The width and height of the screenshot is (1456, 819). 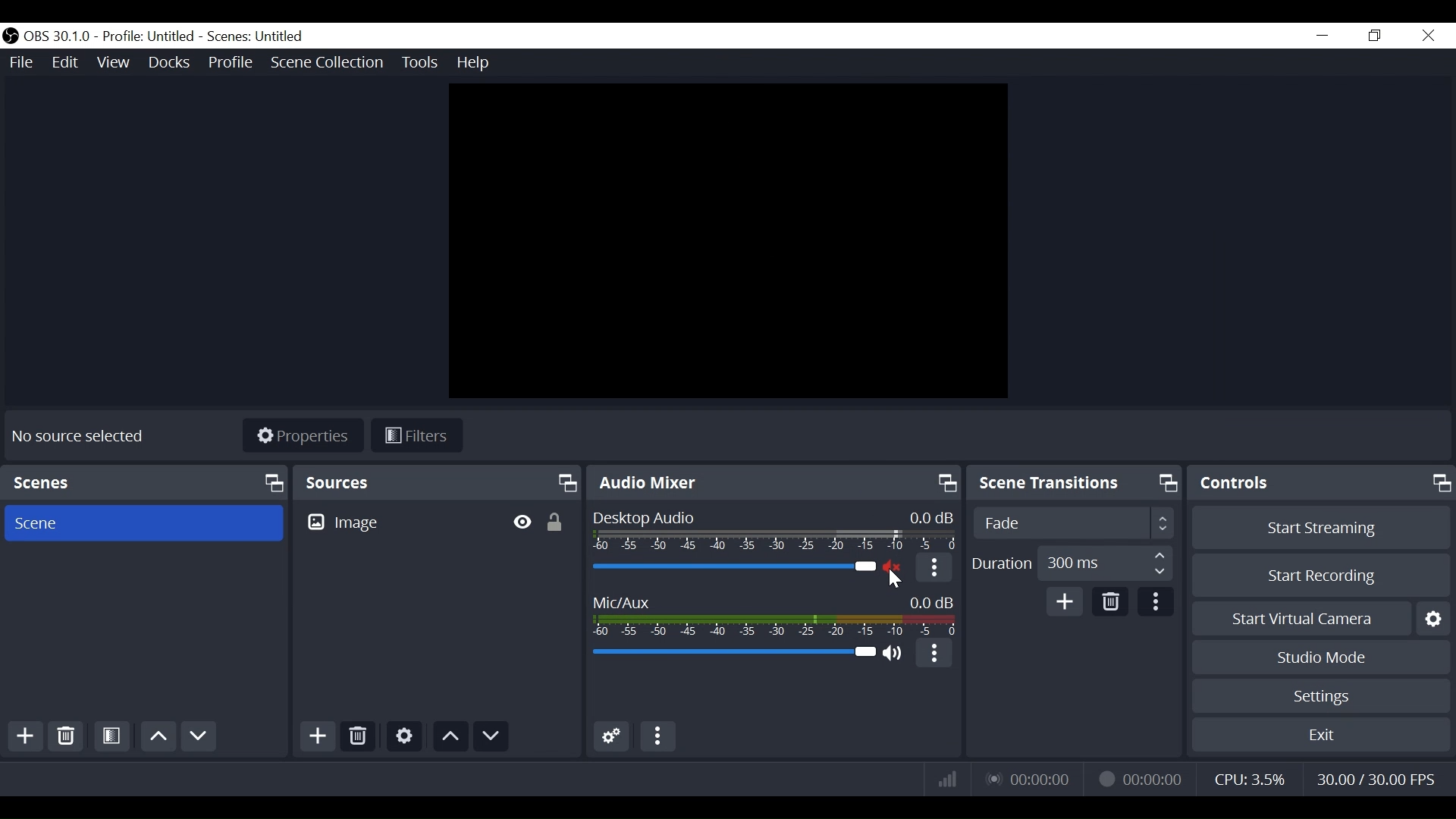 What do you see at coordinates (1155, 603) in the screenshot?
I see `more Options` at bounding box center [1155, 603].